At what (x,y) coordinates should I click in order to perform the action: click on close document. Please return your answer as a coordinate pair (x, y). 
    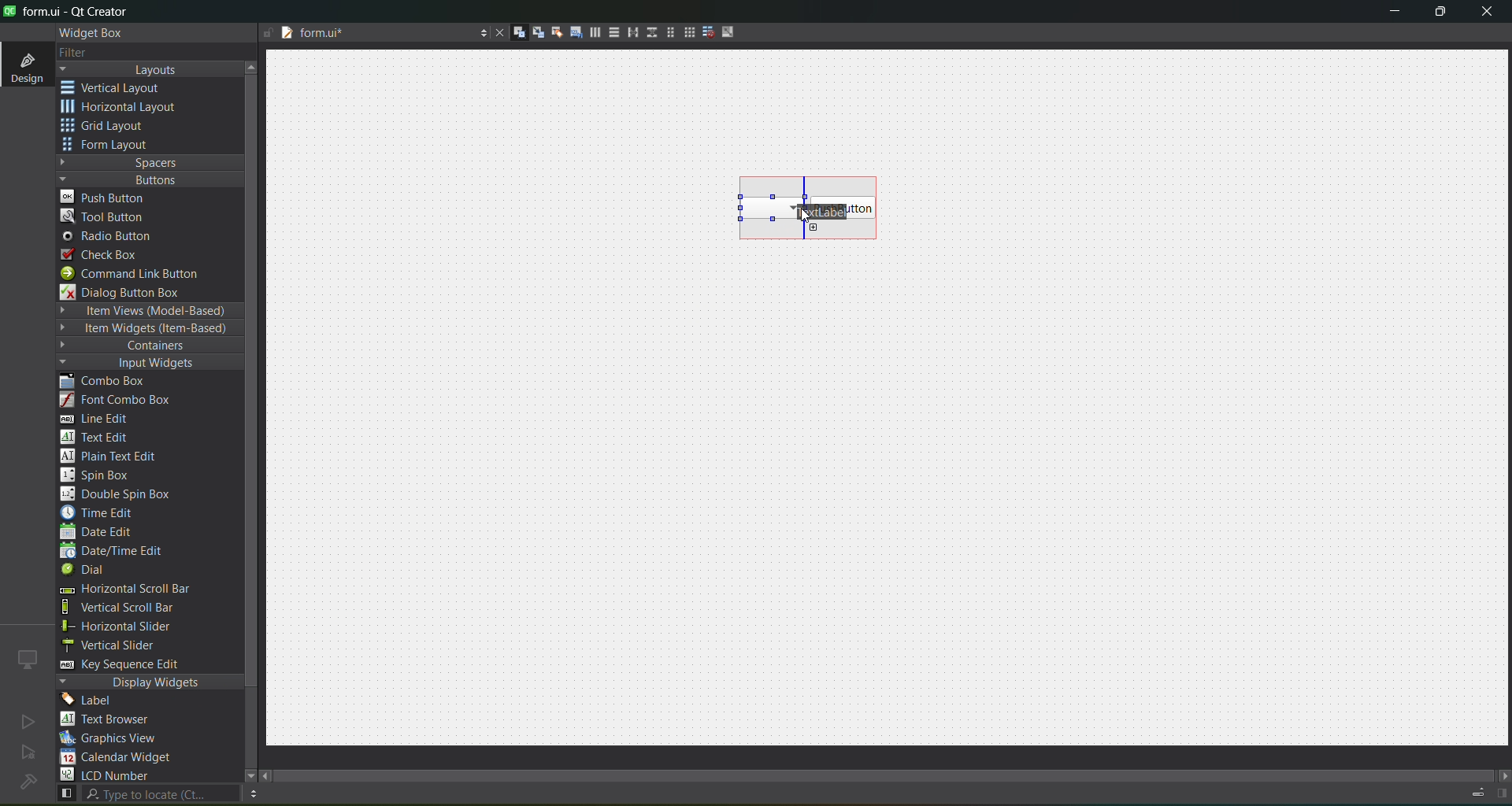
    Looking at the image, I should click on (496, 34).